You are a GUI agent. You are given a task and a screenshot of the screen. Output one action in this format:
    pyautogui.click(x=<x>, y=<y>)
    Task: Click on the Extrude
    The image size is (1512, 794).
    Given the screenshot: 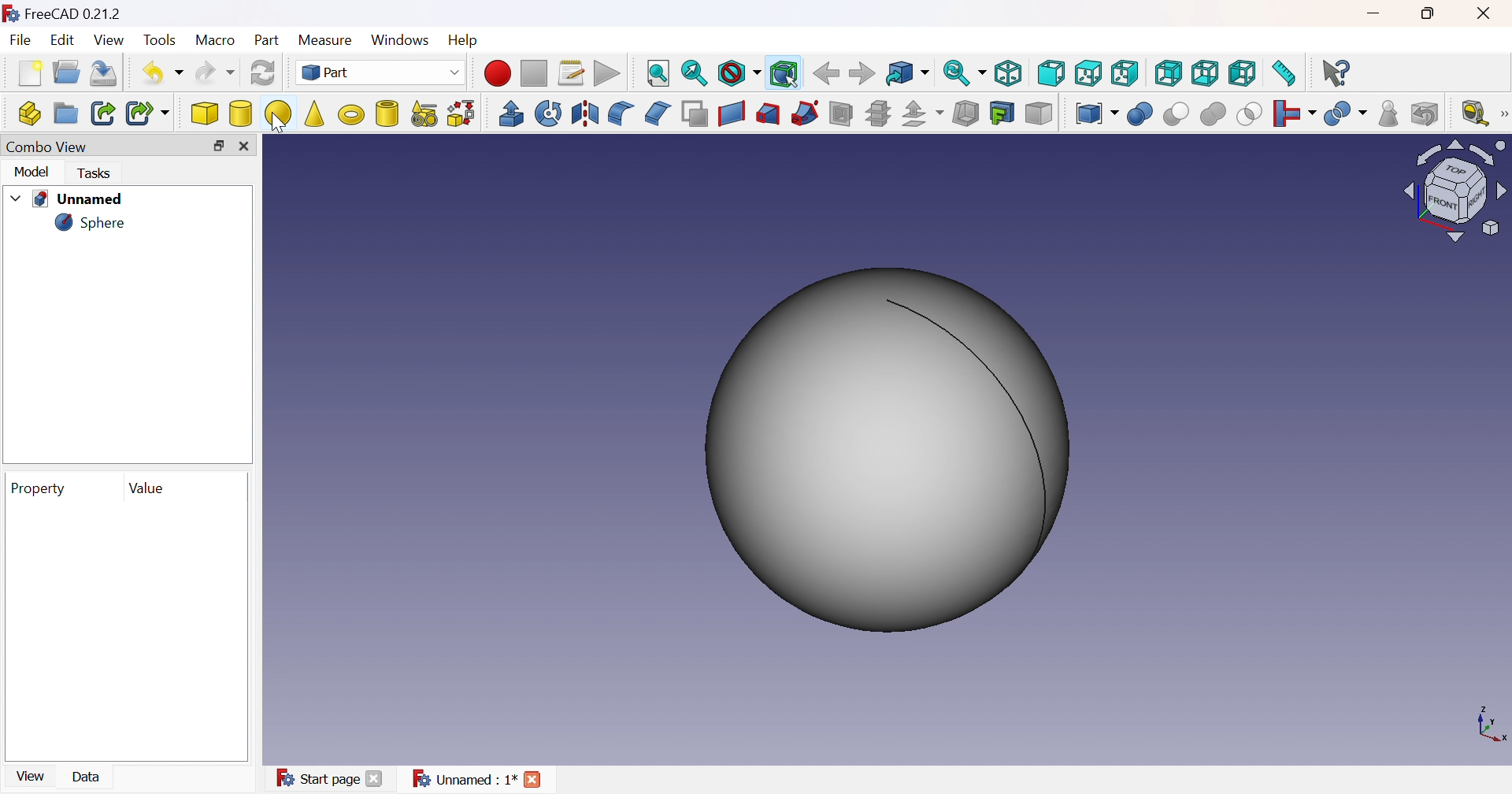 What is the action you would take?
    pyautogui.click(x=510, y=113)
    